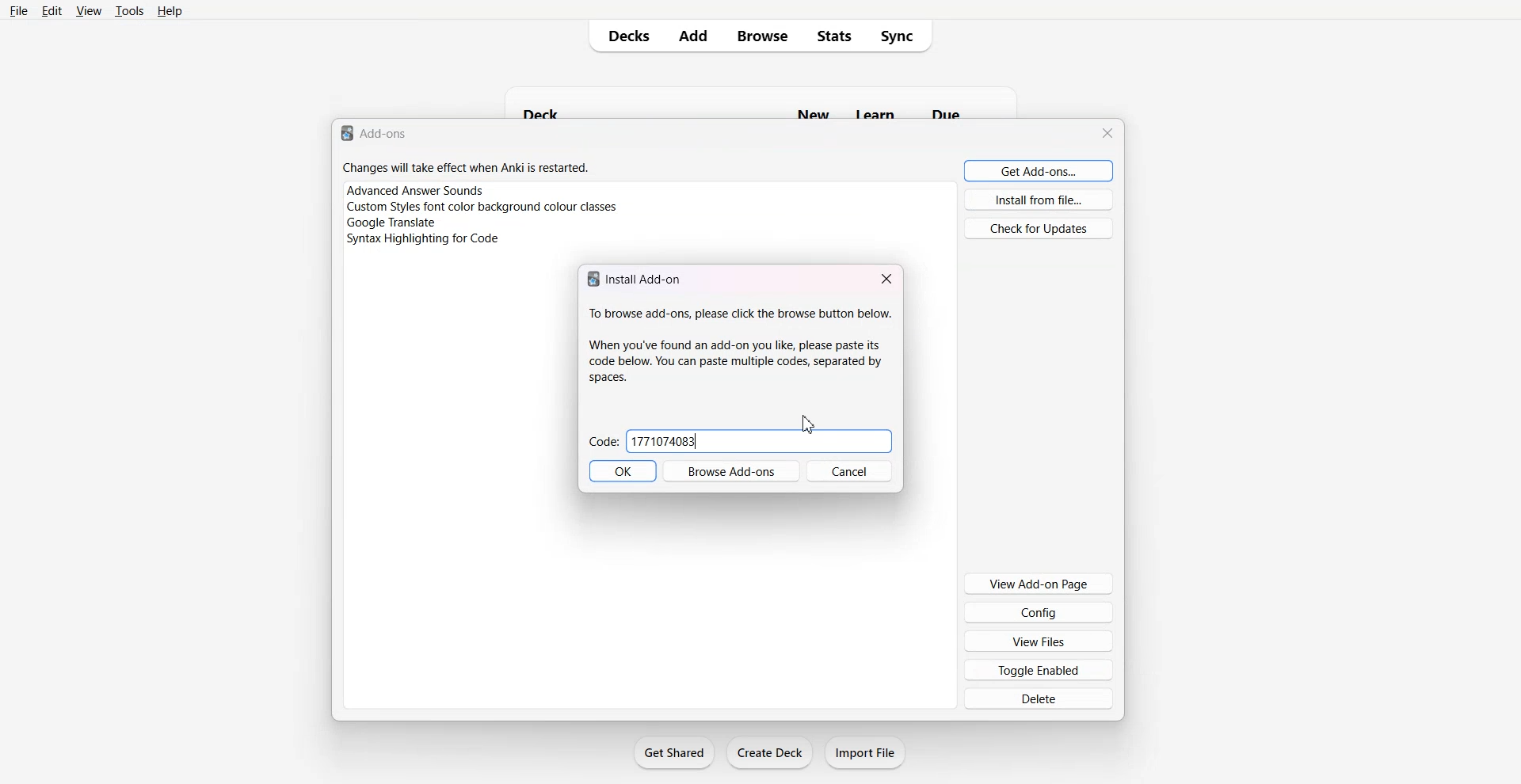 The height and width of the screenshot is (784, 1521). I want to click on advanced answer sounds, so click(416, 190).